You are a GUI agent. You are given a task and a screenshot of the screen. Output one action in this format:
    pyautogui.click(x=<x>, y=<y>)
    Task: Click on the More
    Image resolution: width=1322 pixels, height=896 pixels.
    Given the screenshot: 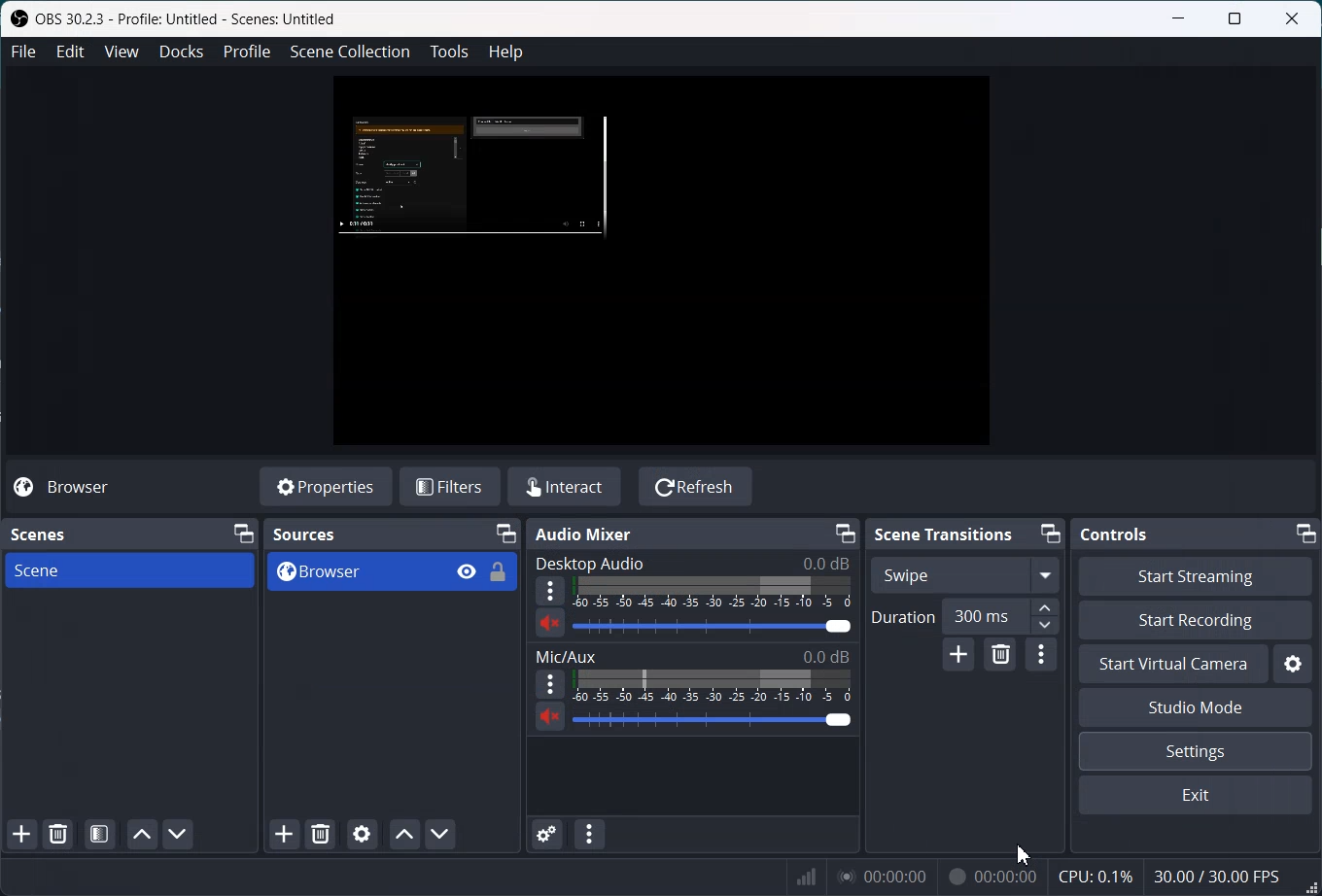 What is the action you would take?
    pyautogui.click(x=548, y=592)
    